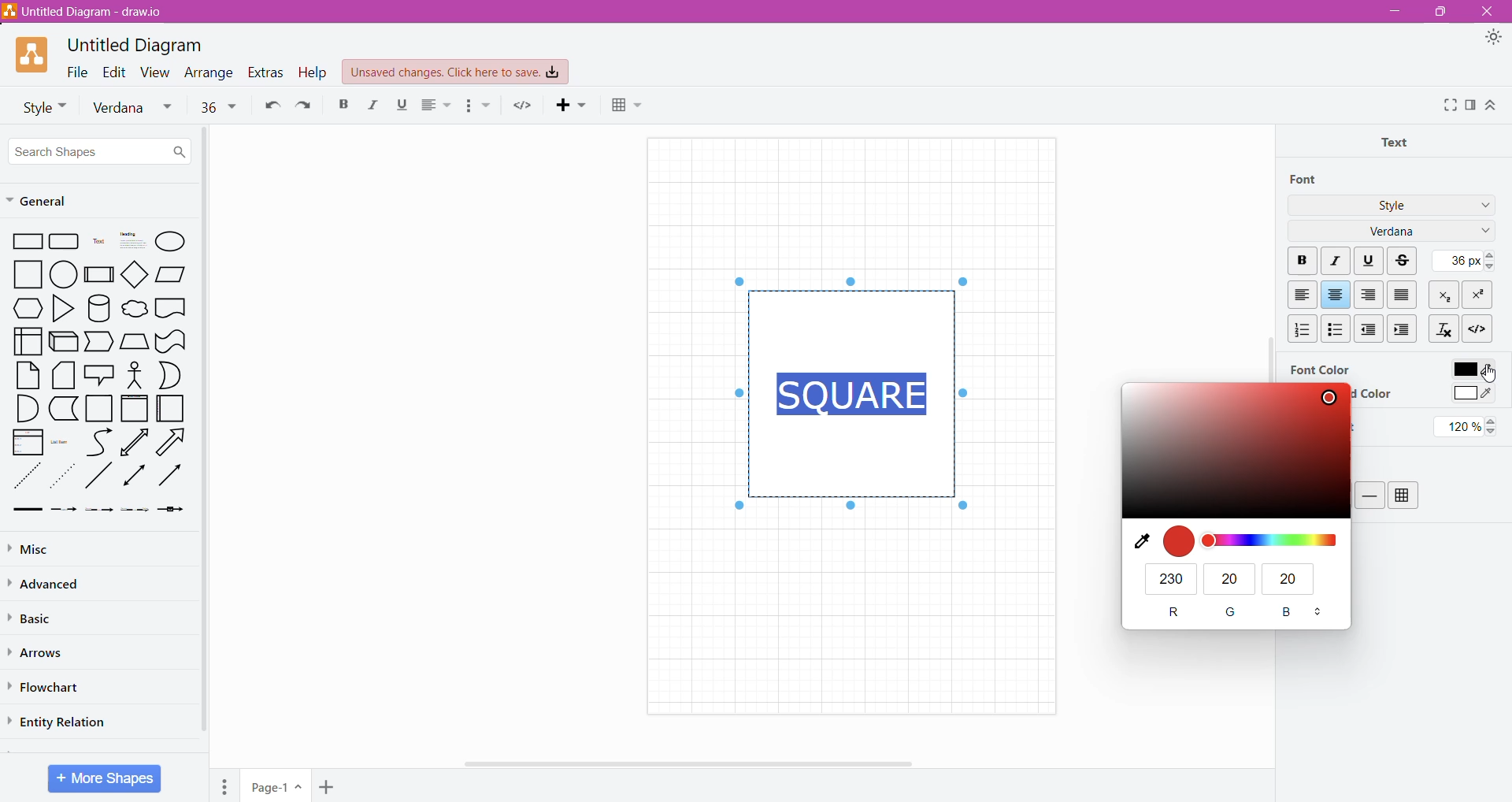 This screenshot has height=802, width=1512. I want to click on Font Color, so click(1471, 366).